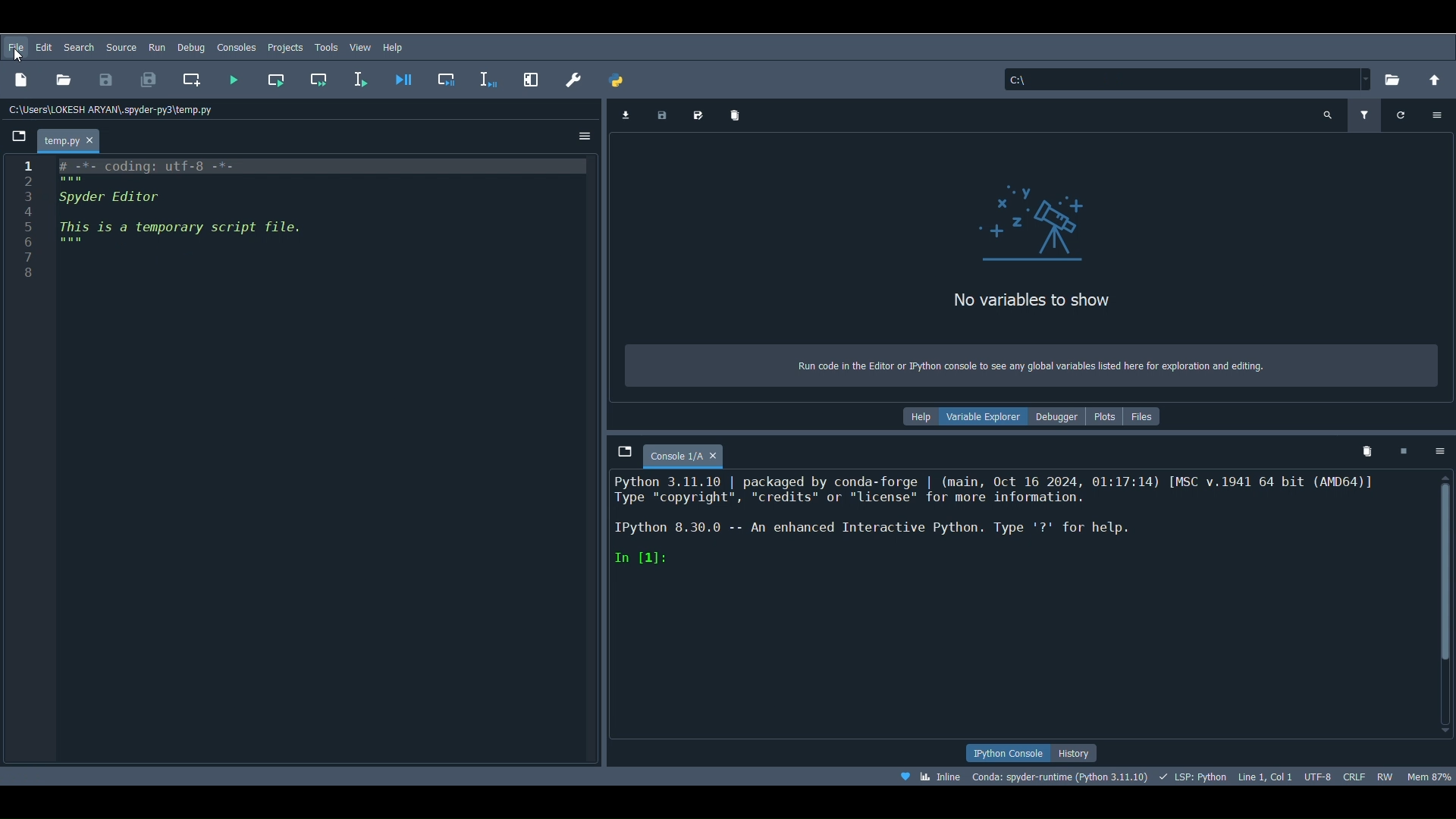 This screenshot has height=819, width=1456. What do you see at coordinates (1034, 366) in the screenshot?
I see `Run code in the Editor or Python console to see any global variables listed here for exploration and editing.` at bounding box center [1034, 366].